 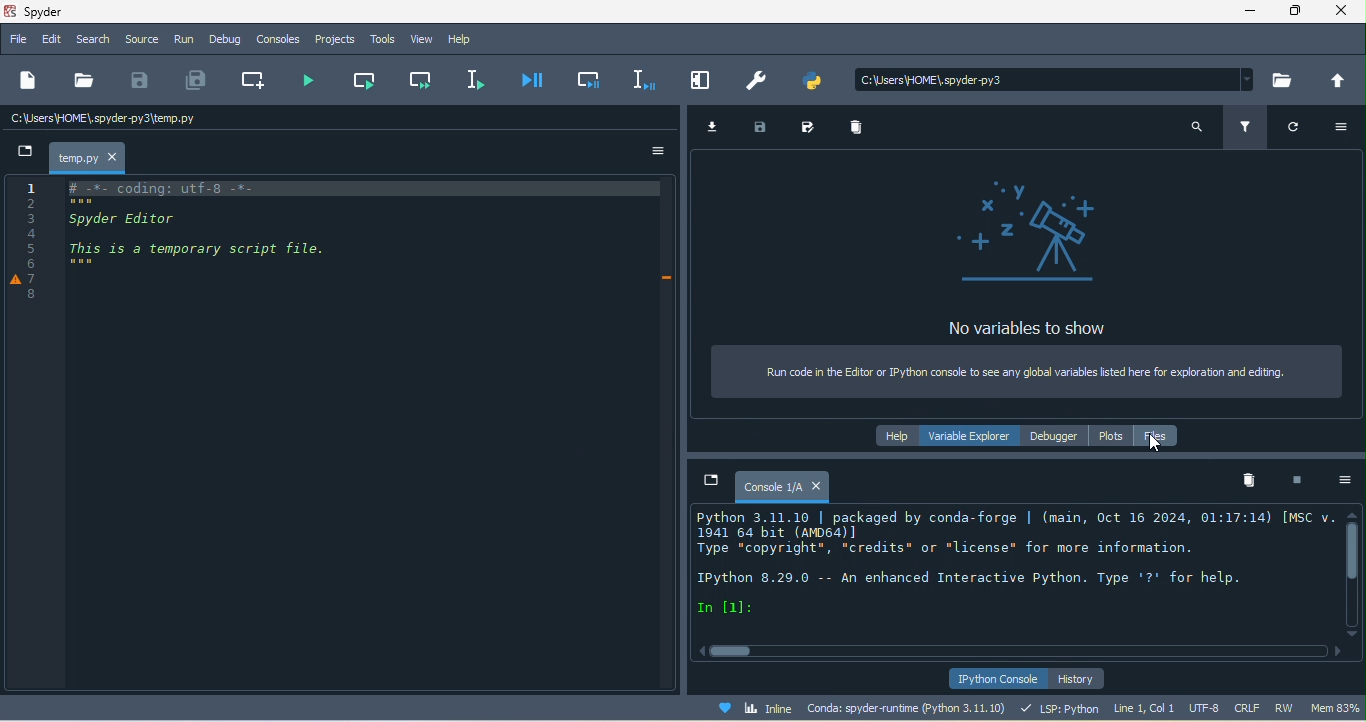 What do you see at coordinates (140, 39) in the screenshot?
I see `source` at bounding box center [140, 39].